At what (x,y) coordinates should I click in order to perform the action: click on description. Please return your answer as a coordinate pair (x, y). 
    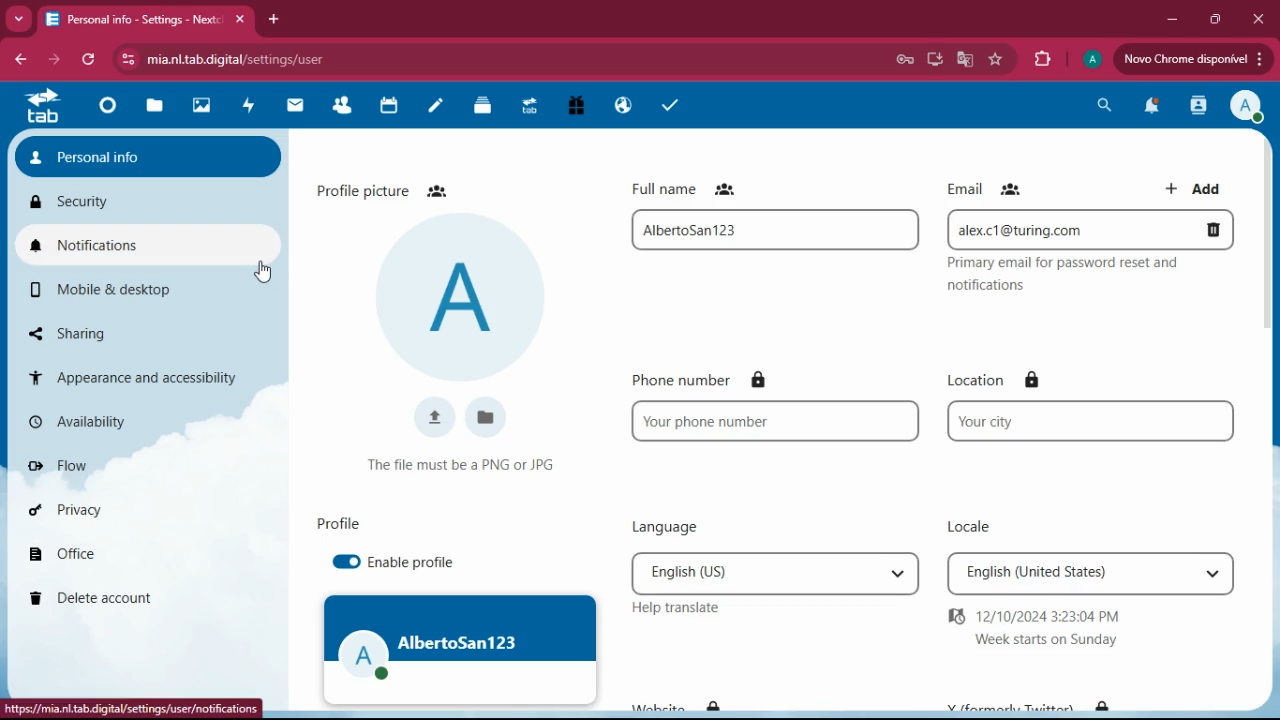
    Looking at the image, I should click on (1084, 278).